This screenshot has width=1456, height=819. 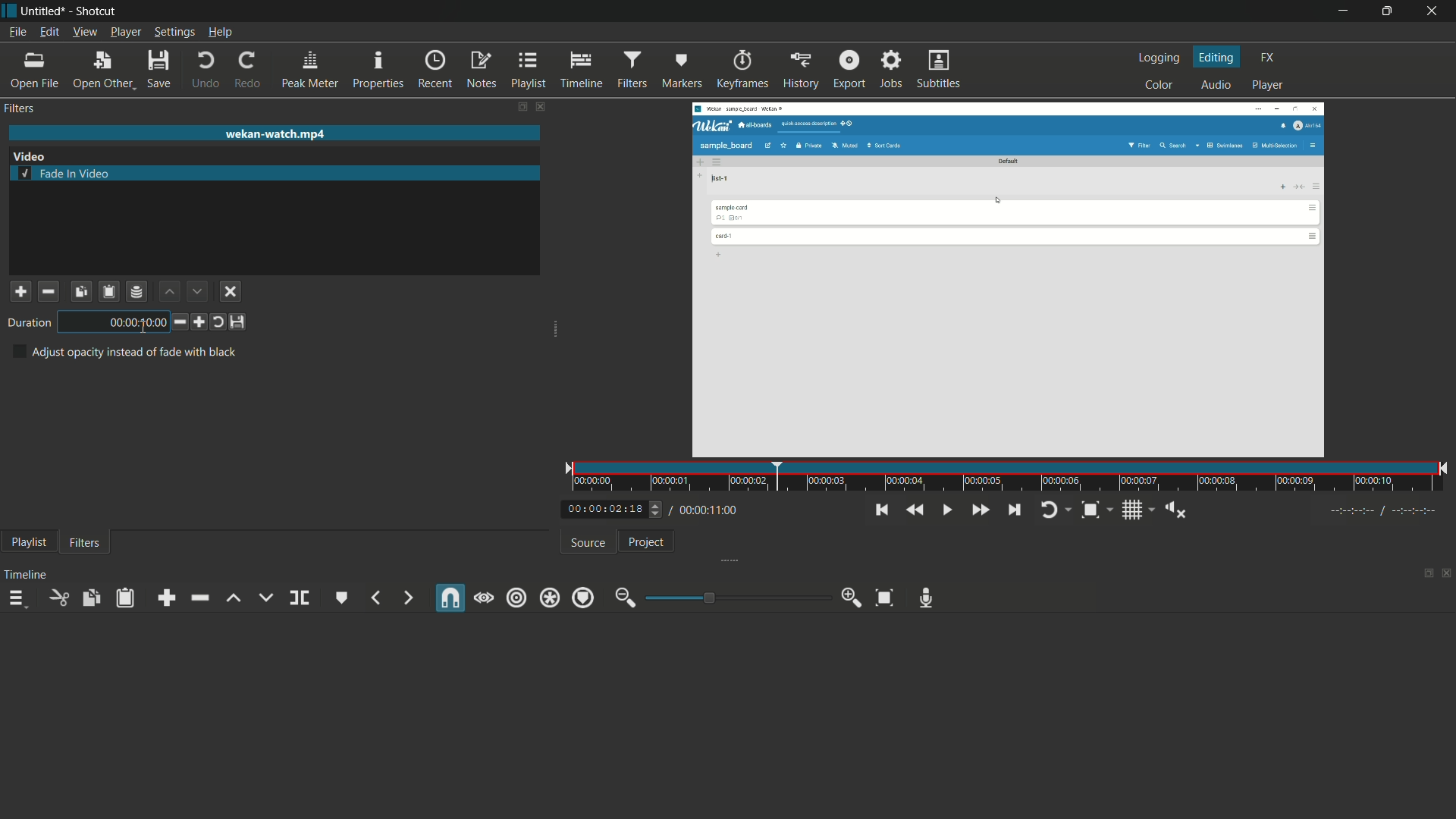 I want to click on audio, so click(x=1216, y=86).